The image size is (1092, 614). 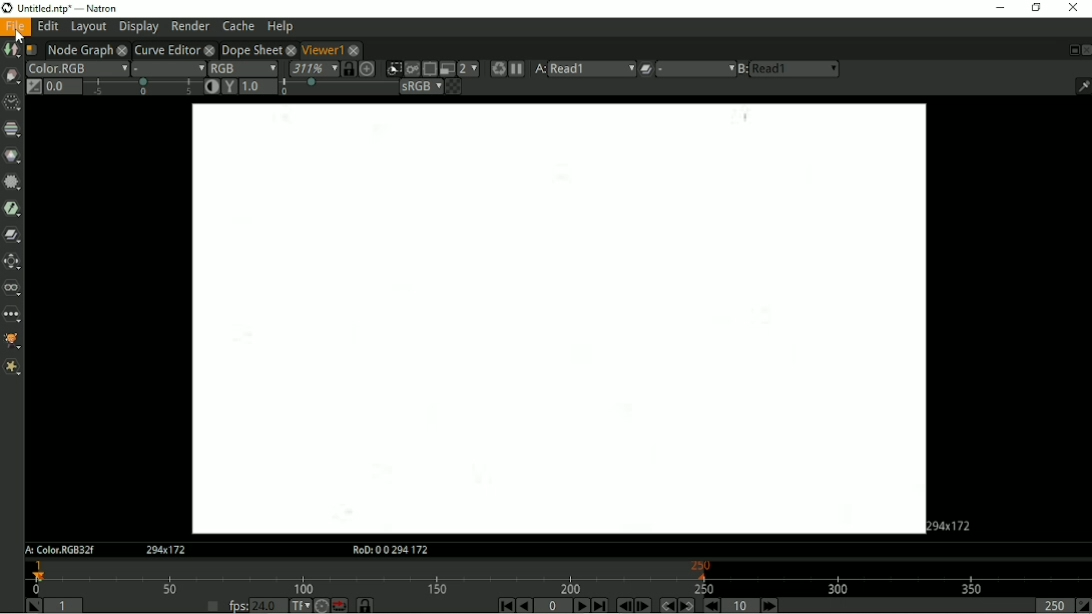 What do you see at coordinates (952, 525) in the screenshot?
I see `Aspect` at bounding box center [952, 525].